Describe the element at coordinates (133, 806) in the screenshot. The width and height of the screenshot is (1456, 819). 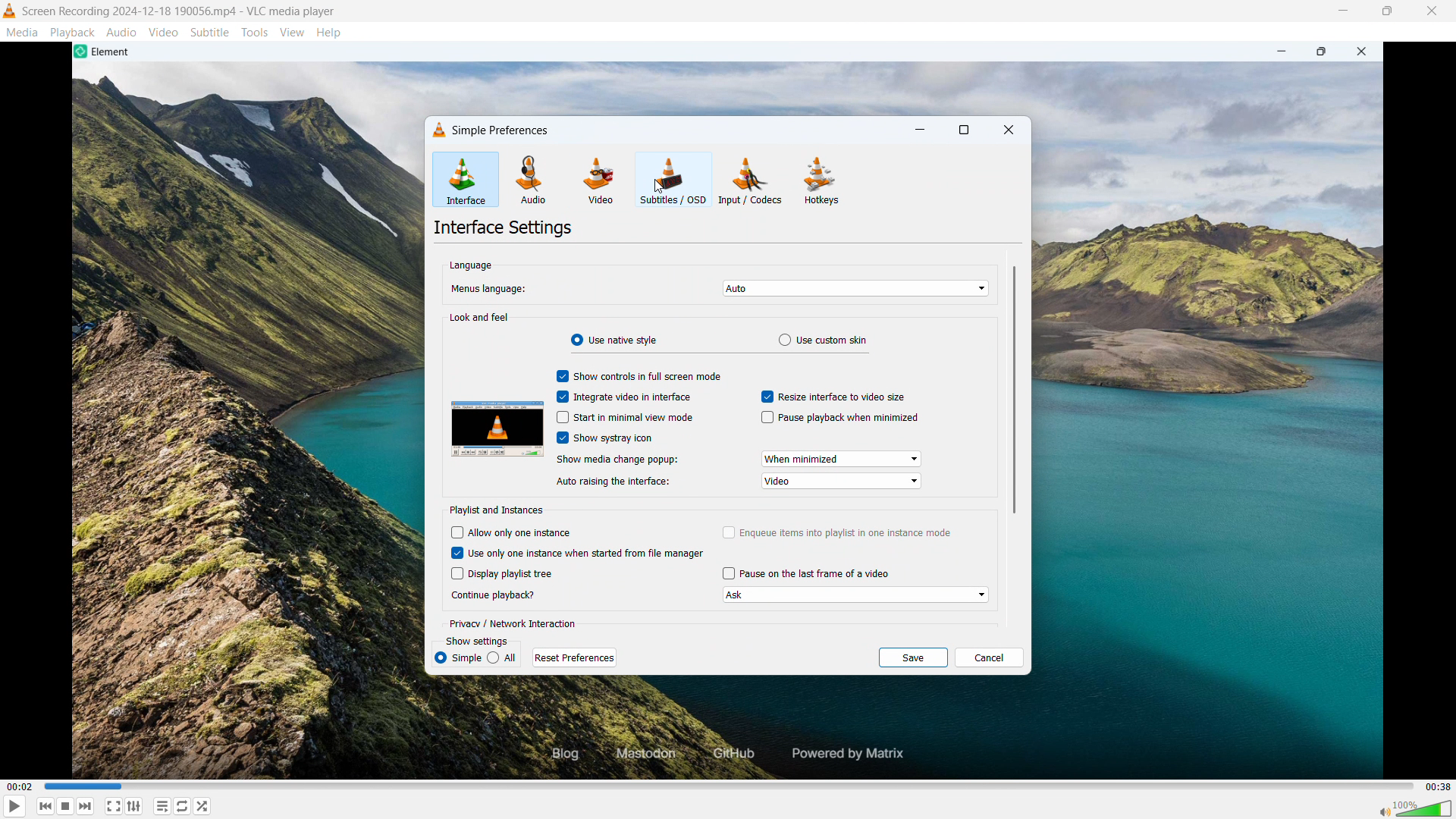
I see `Show advanced settings ` at that location.